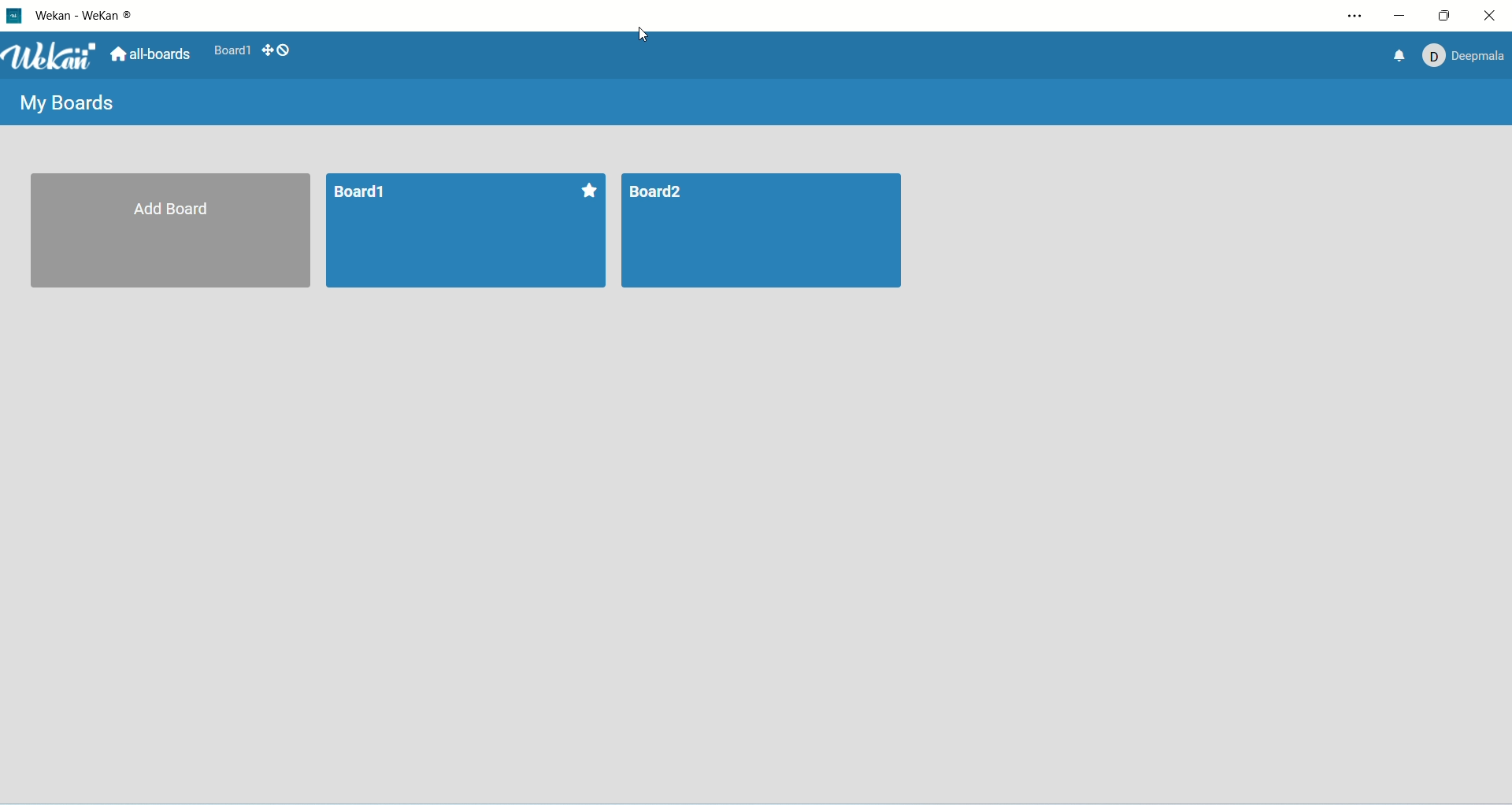  What do you see at coordinates (1449, 16) in the screenshot?
I see `maximize` at bounding box center [1449, 16].